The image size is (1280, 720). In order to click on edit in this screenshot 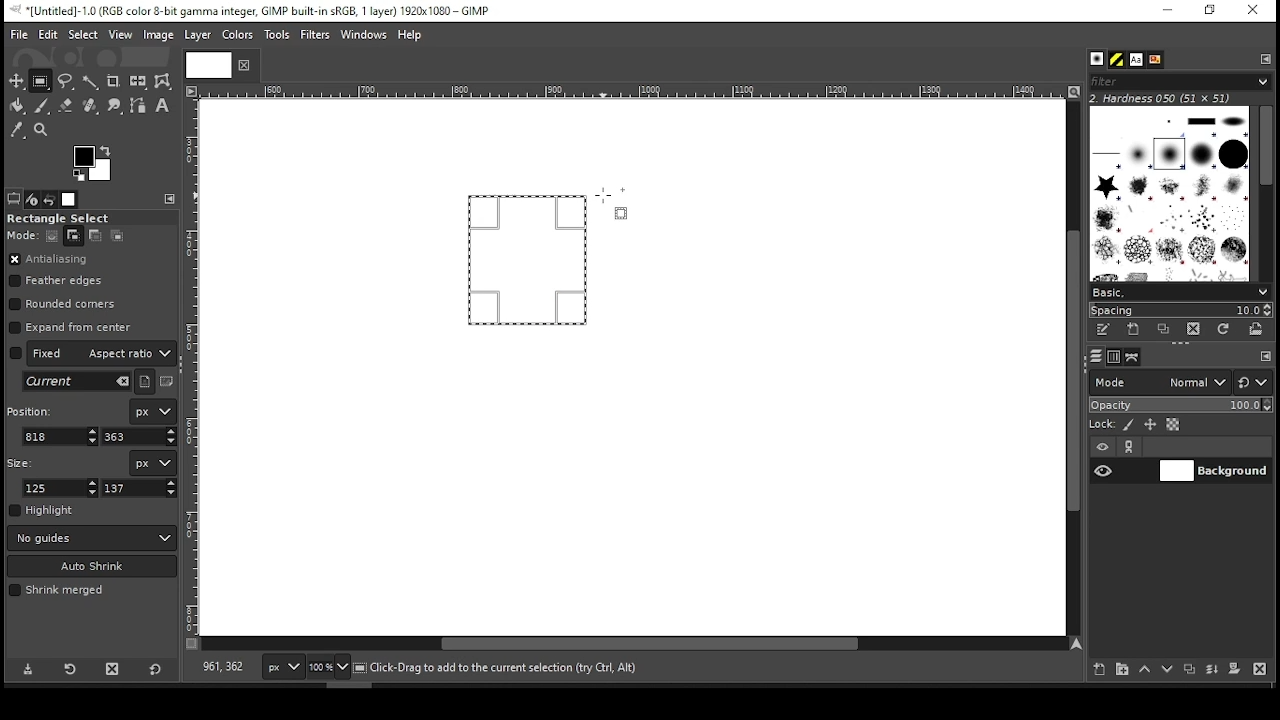, I will do `click(48, 34)`.